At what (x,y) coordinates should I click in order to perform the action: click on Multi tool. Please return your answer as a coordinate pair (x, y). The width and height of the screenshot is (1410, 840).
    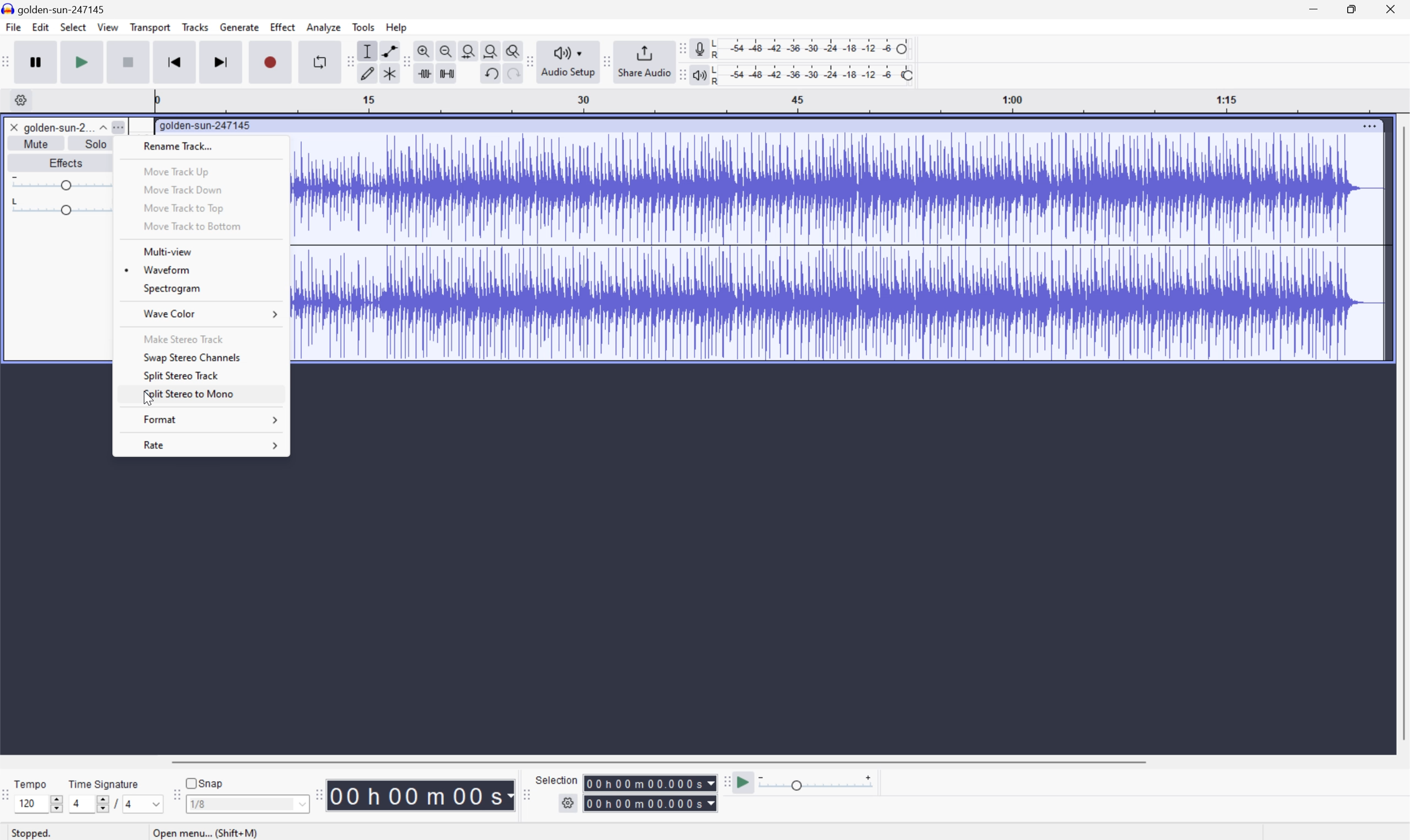
    Looking at the image, I should click on (389, 72).